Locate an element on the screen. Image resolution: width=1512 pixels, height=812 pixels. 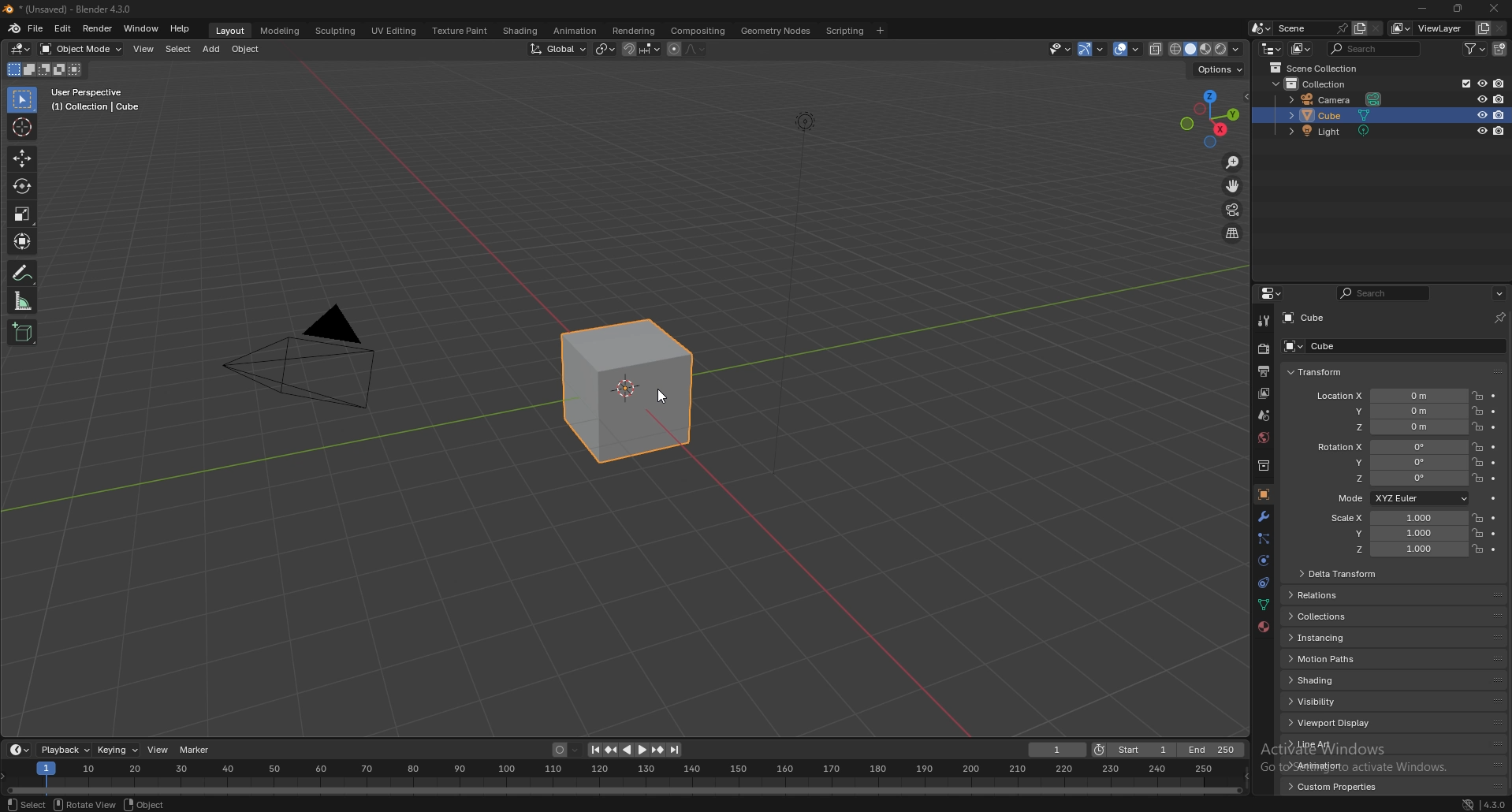
animate property is located at coordinates (1495, 447).